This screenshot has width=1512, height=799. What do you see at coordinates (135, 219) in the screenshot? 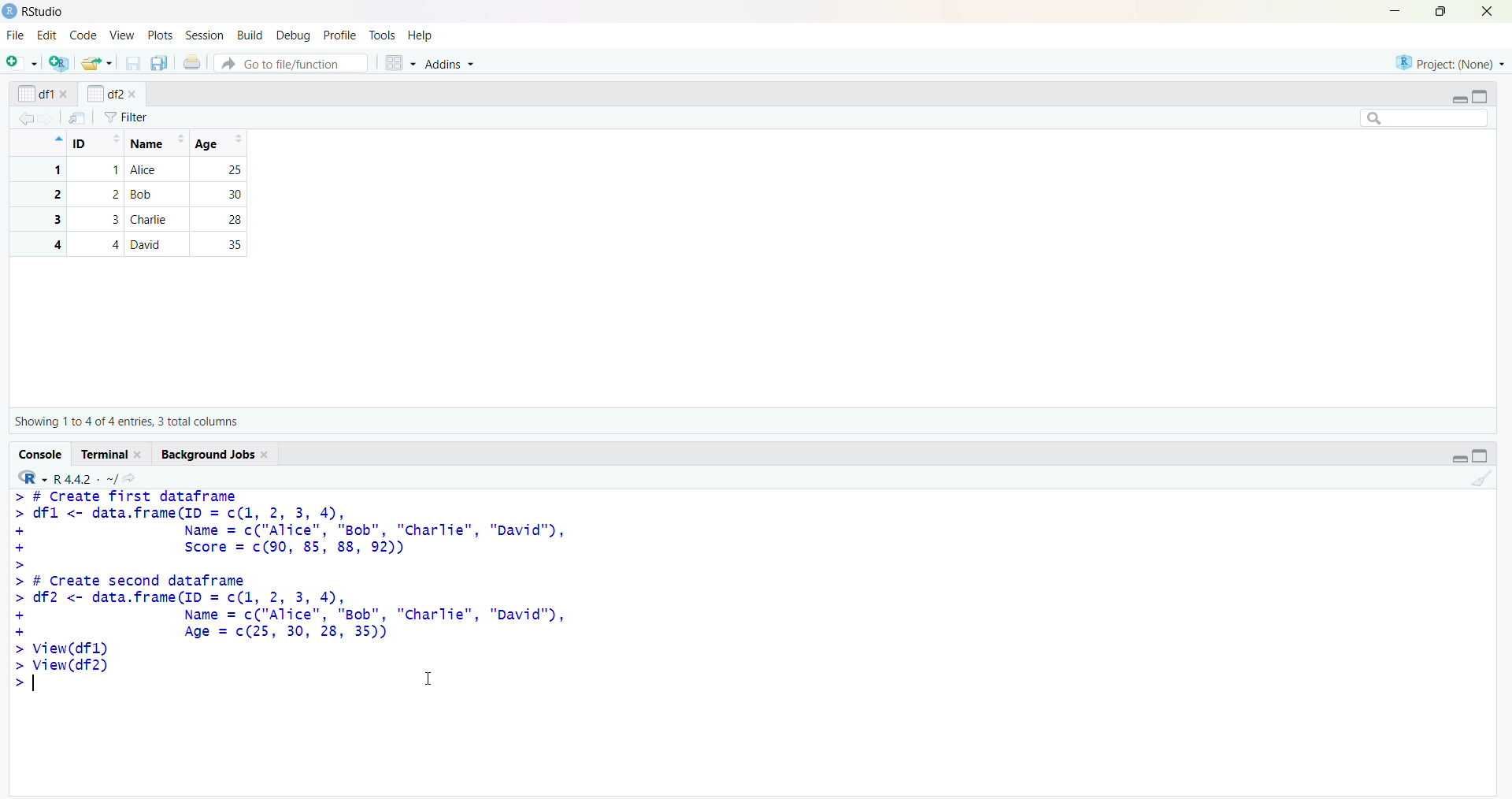
I see `3 3 Charlie 28` at bounding box center [135, 219].